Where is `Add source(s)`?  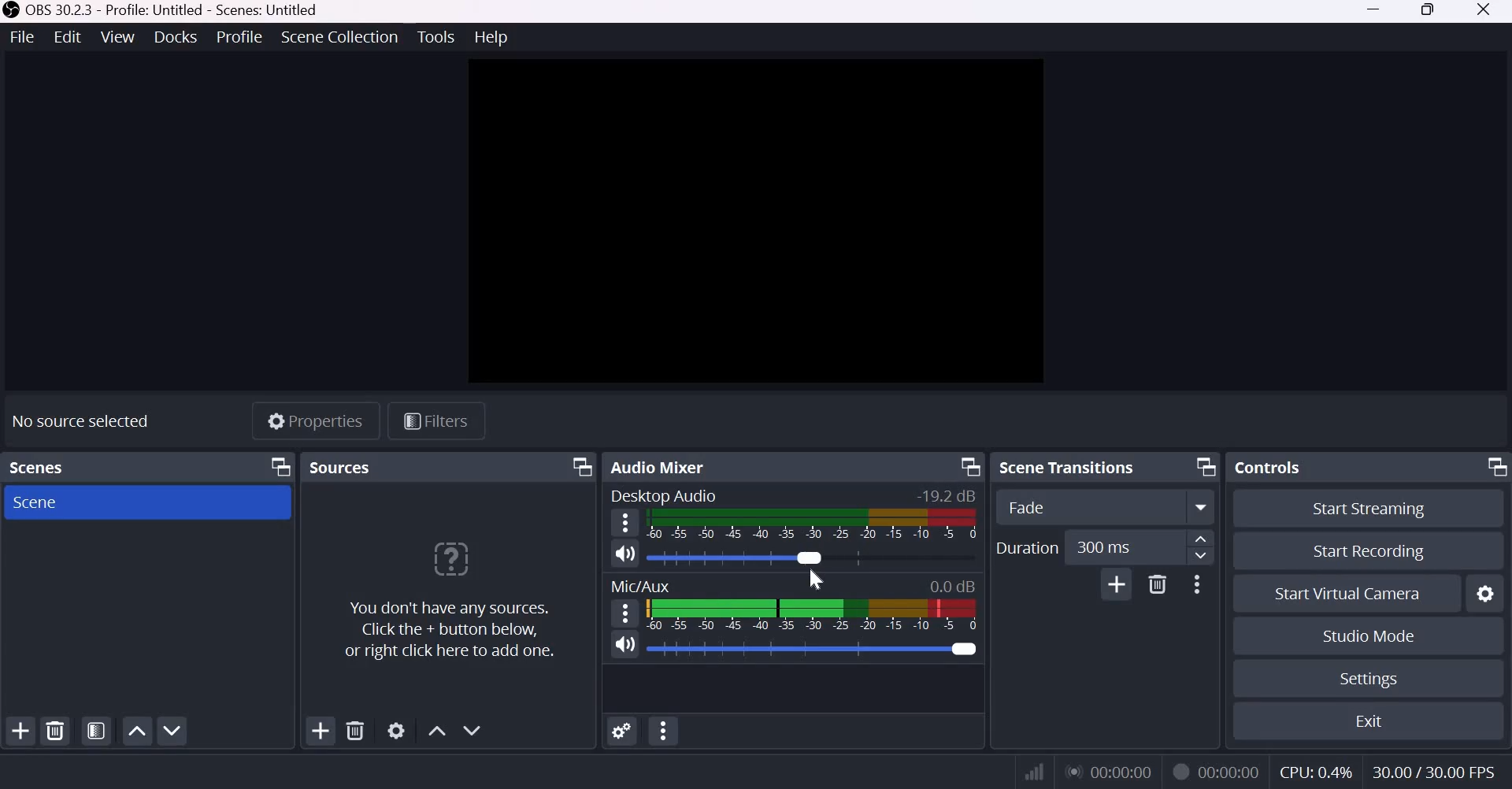
Add source(s) is located at coordinates (321, 732).